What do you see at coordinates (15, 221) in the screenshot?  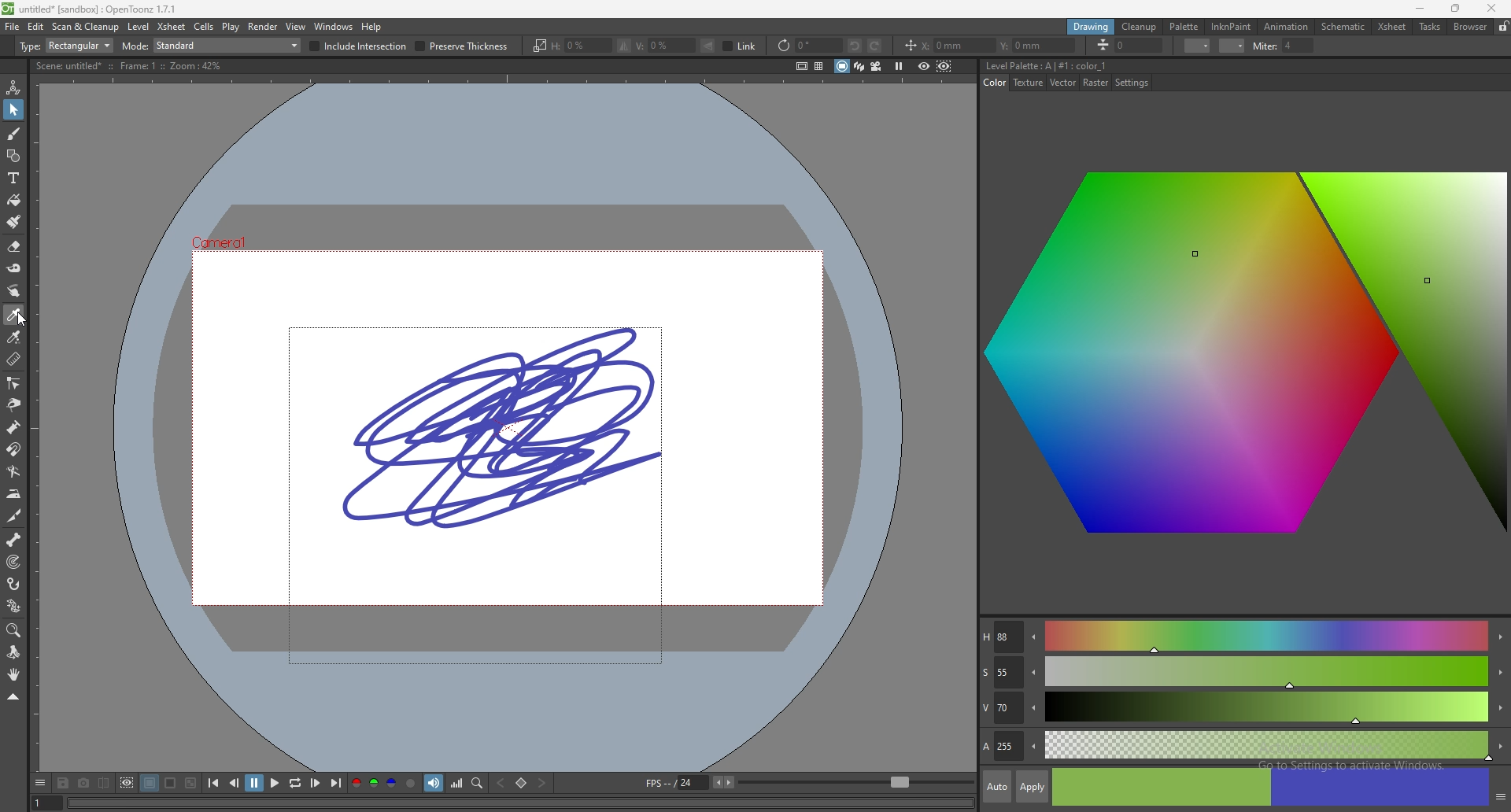 I see `paintbrush tool` at bounding box center [15, 221].